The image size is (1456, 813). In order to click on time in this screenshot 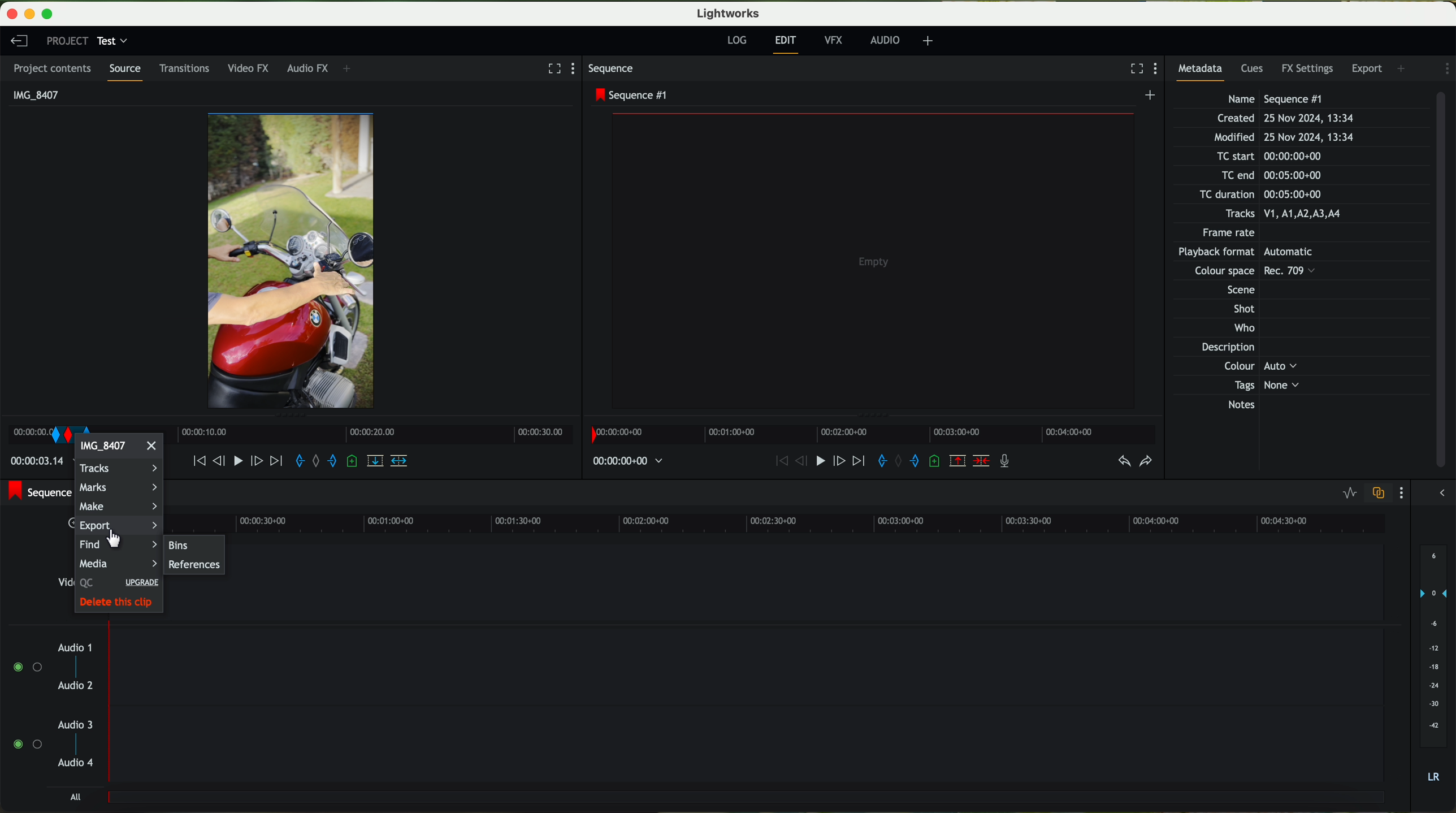, I will do `click(630, 461)`.